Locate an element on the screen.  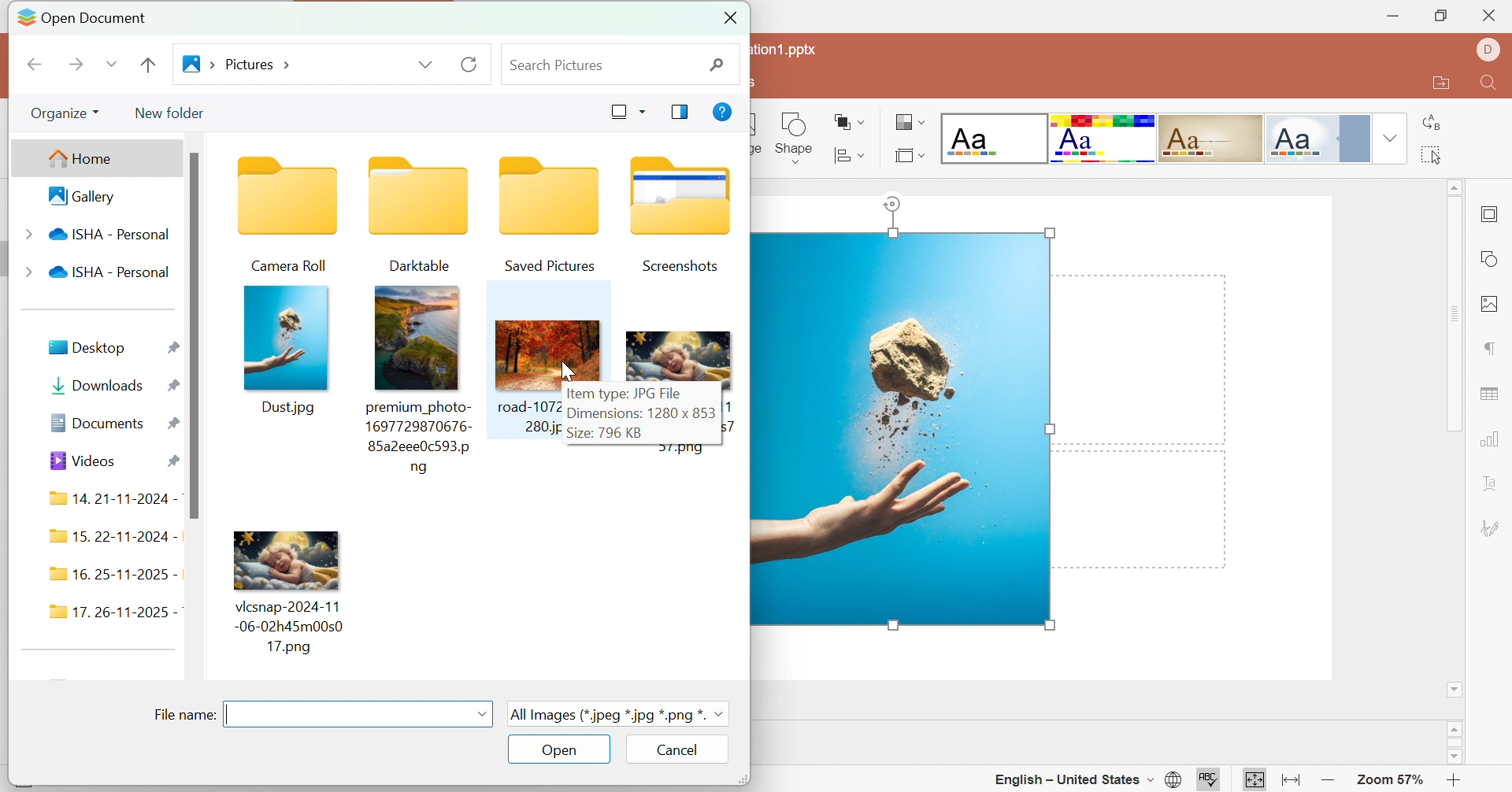
scroll up is located at coordinates (1455, 727).